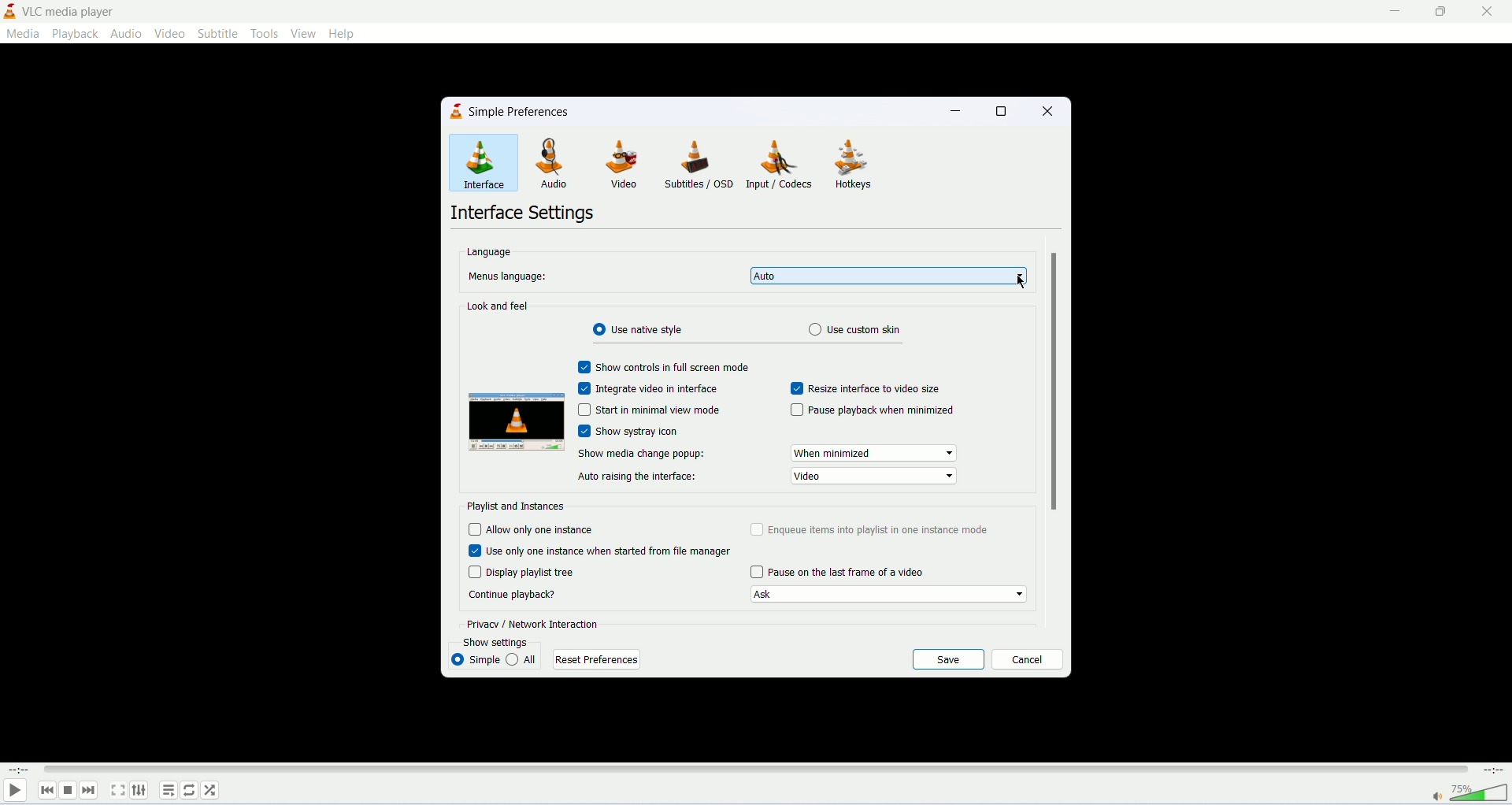 The height and width of the screenshot is (805, 1512). What do you see at coordinates (169, 34) in the screenshot?
I see `video` at bounding box center [169, 34].